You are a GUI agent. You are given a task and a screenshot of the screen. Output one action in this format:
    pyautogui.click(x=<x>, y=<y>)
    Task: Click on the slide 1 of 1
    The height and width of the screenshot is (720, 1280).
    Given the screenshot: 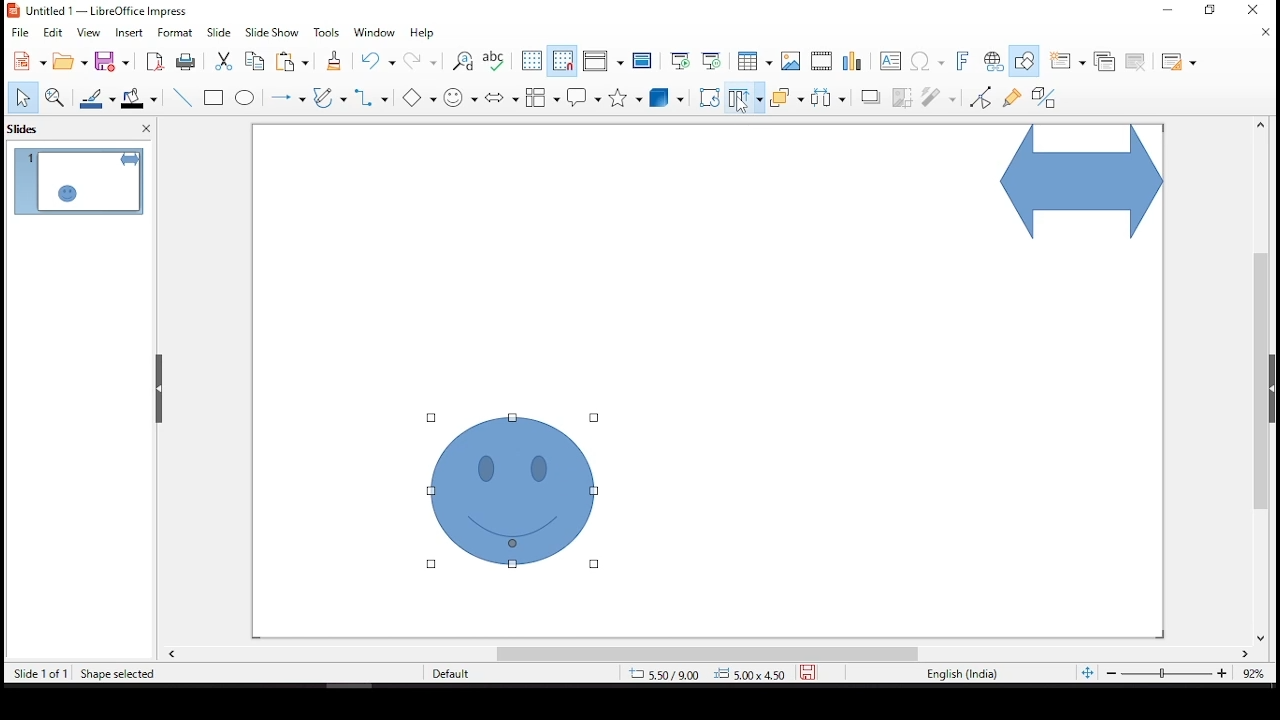 What is the action you would take?
    pyautogui.click(x=41, y=675)
    